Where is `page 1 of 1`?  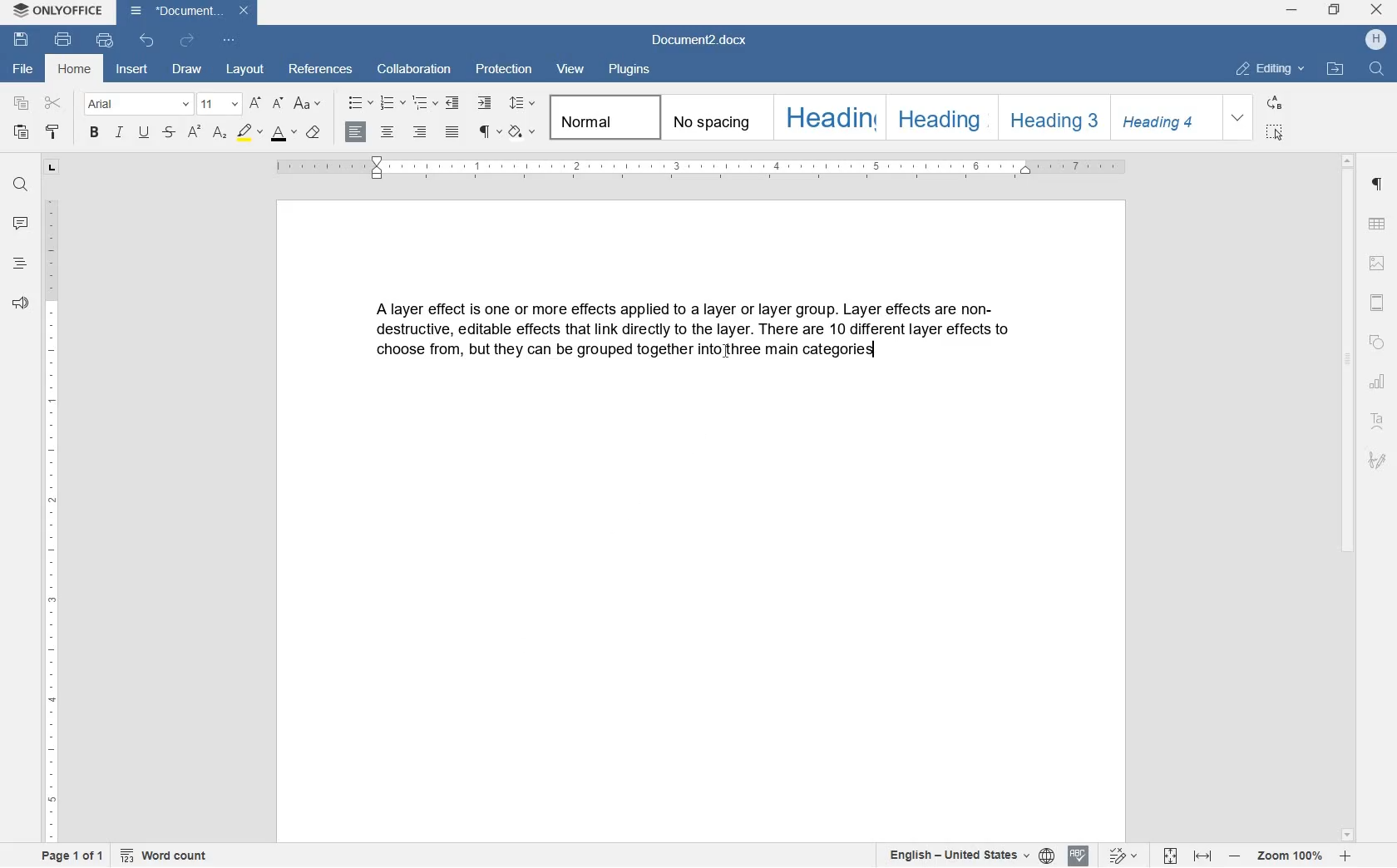
page 1 of 1 is located at coordinates (68, 856).